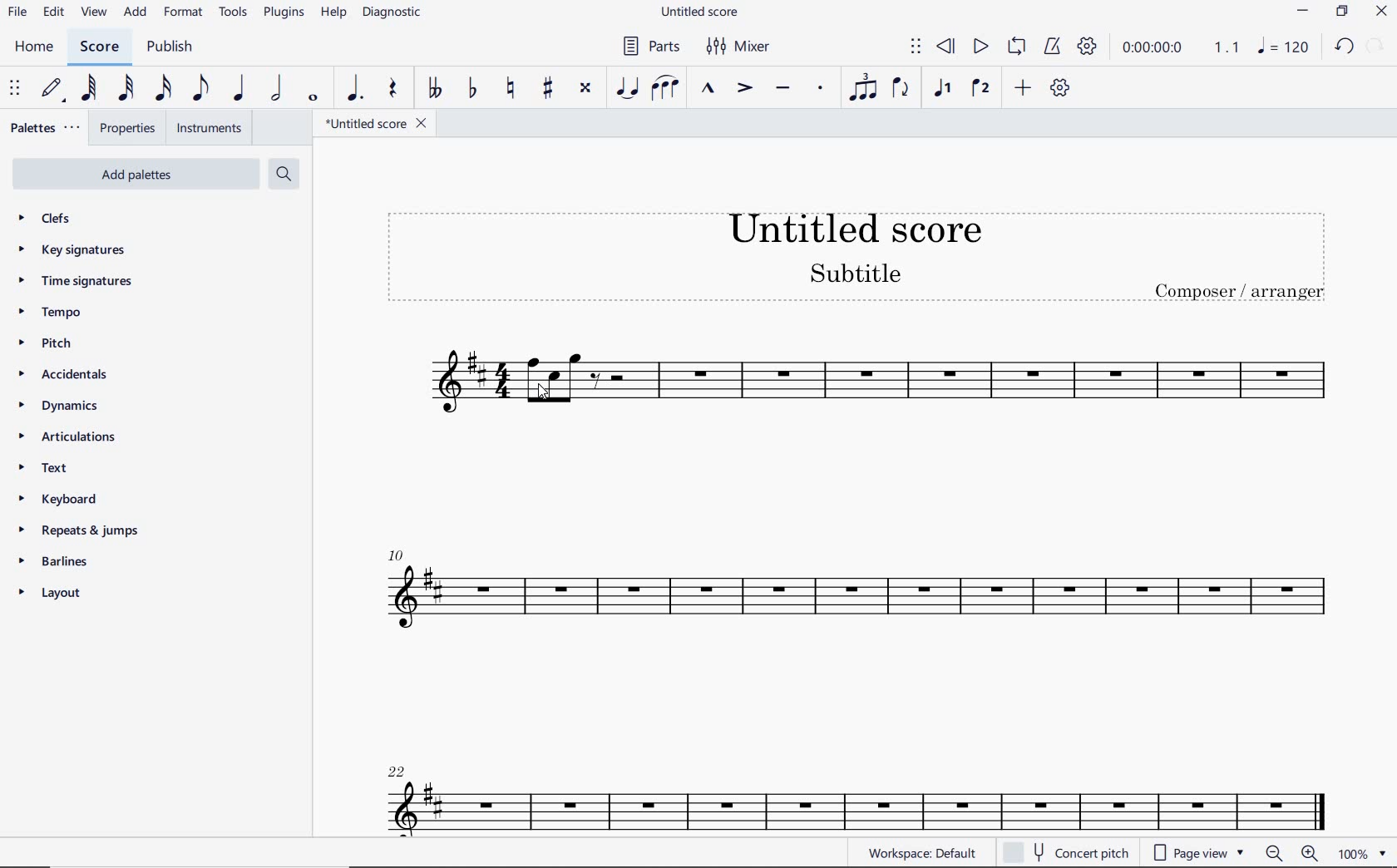  I want to click on FILE NAME, so click(371, 123).